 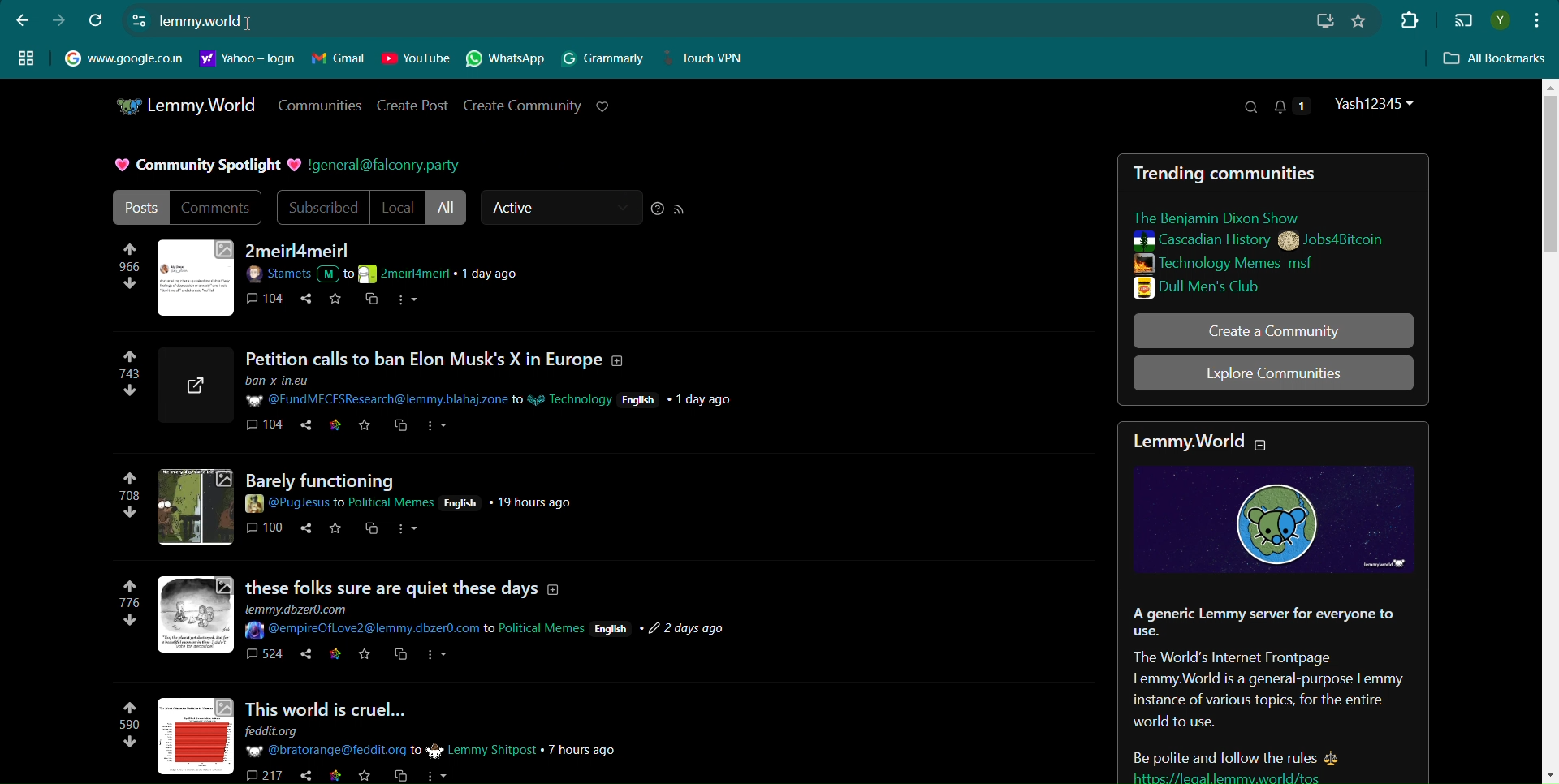 I want to click on Stamets M to 2 meirl4meirl 1 day ago, so click(x=391, y=274).